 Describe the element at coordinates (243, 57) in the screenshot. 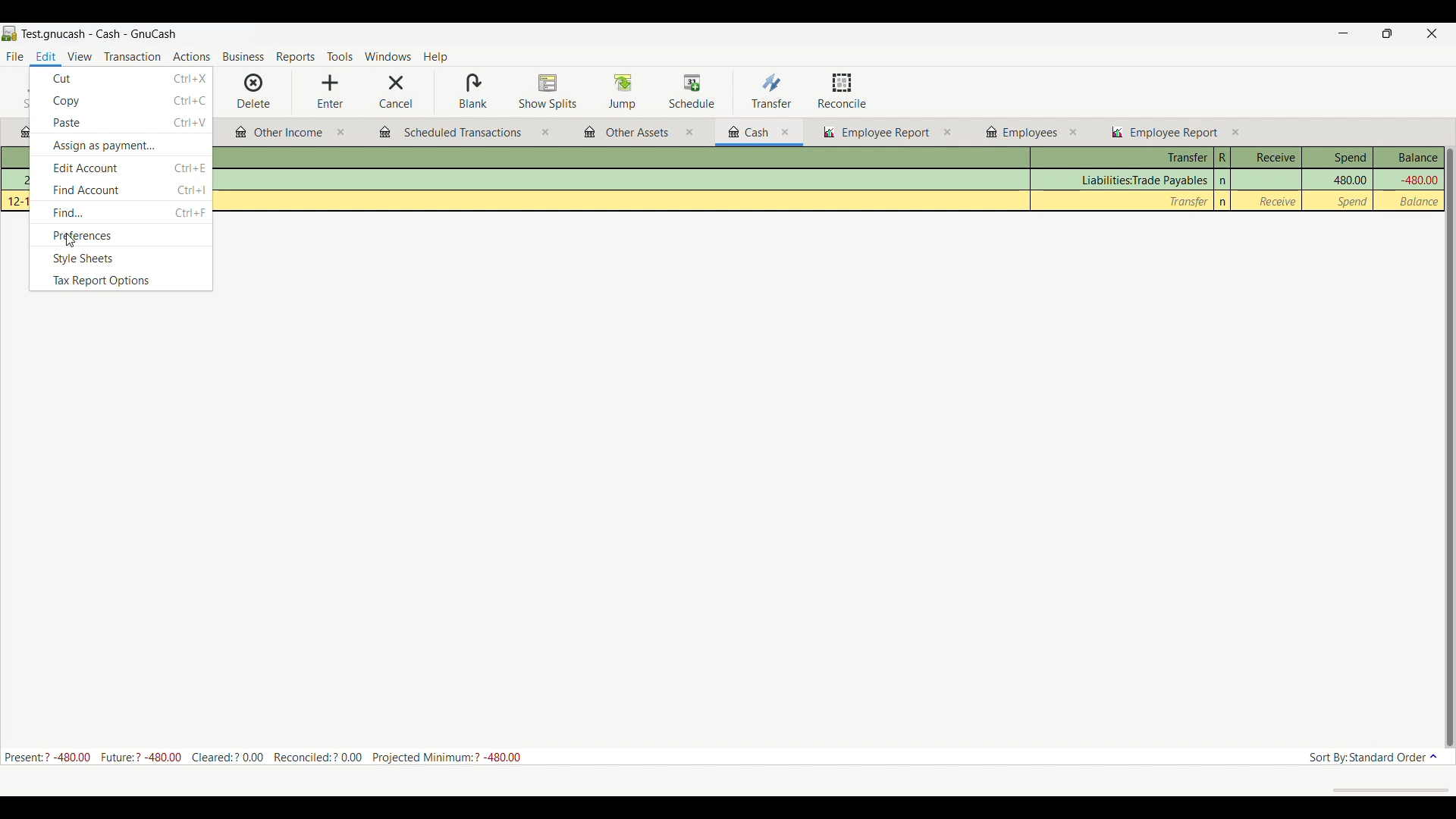

I see `Business menu` at that location.